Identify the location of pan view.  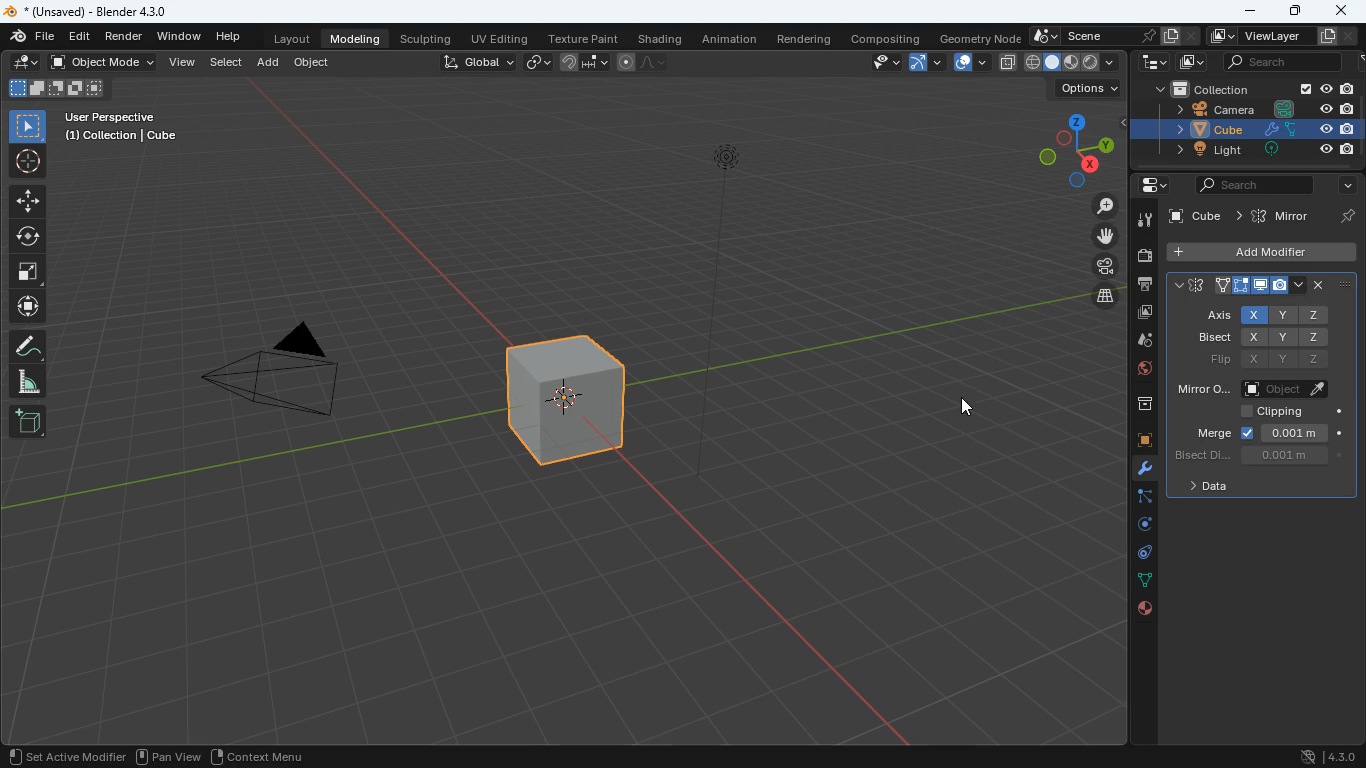
(172, 755).